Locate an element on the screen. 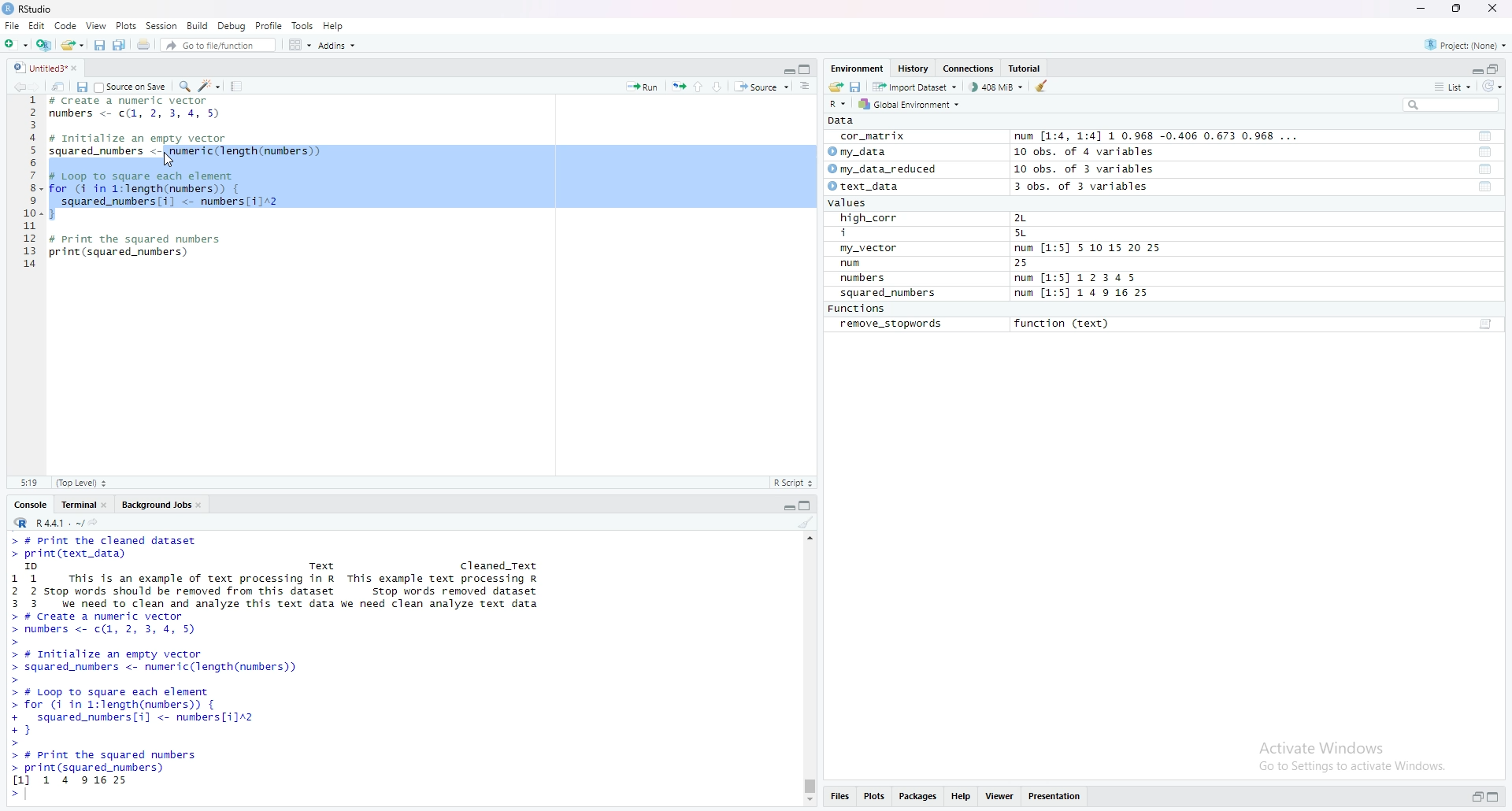 The height and width of the screenshot is (811, 1512). down is located at coordinates (718, 86).